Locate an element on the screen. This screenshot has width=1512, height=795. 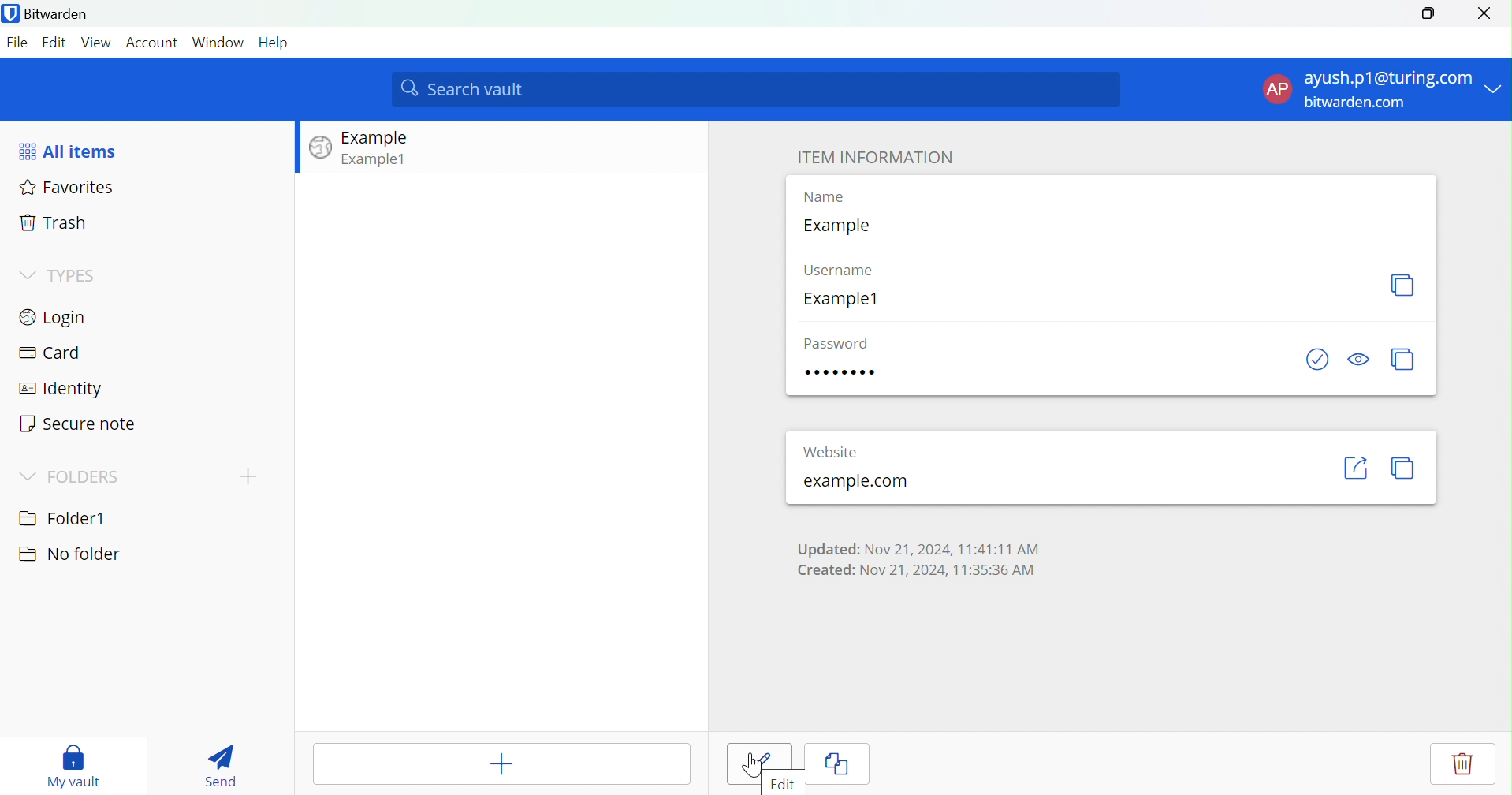
Trash is located at coordinates (55, 224).